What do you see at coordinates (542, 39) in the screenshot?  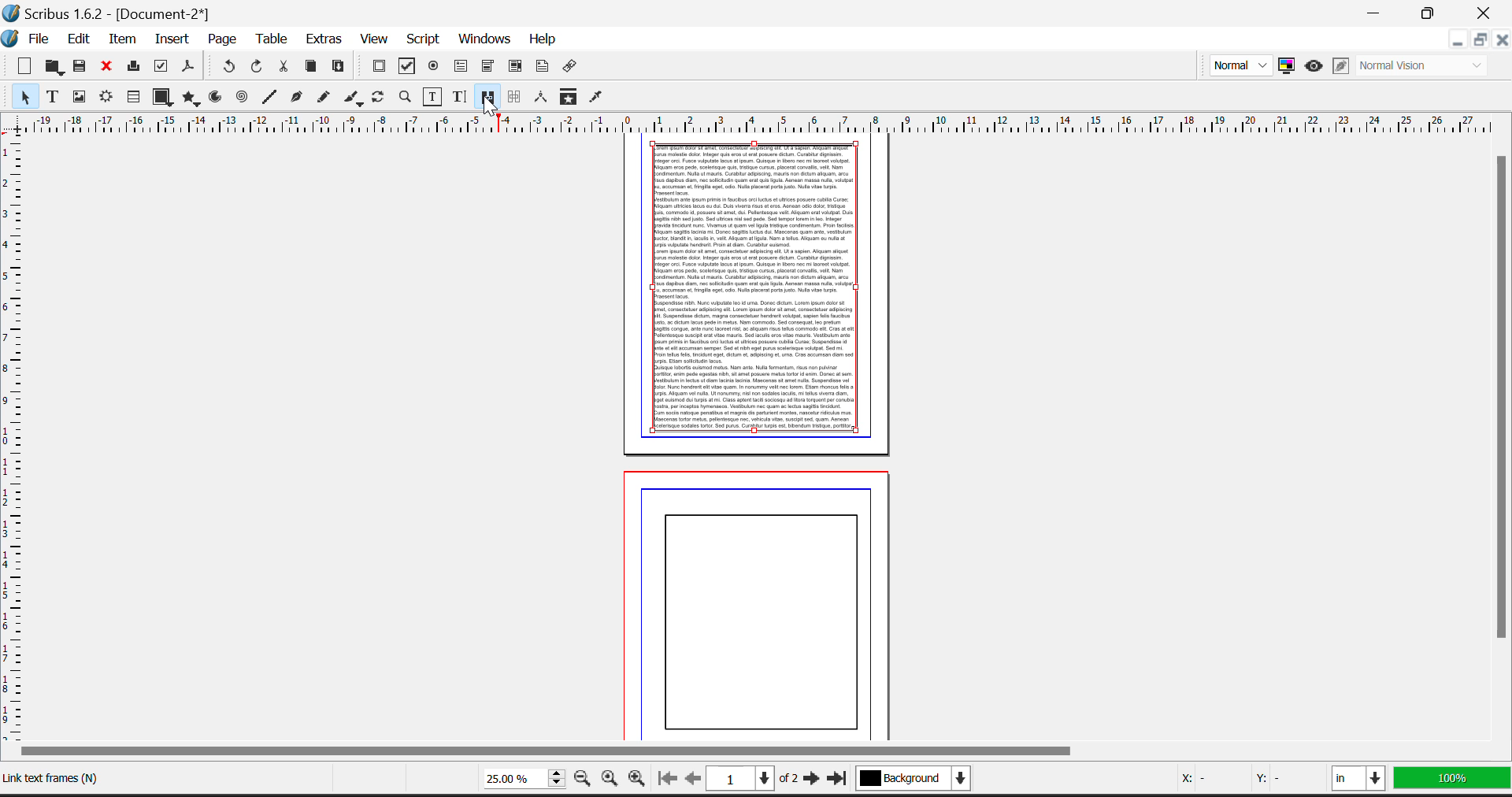 I see `Help` at bounding box center [542, 39].